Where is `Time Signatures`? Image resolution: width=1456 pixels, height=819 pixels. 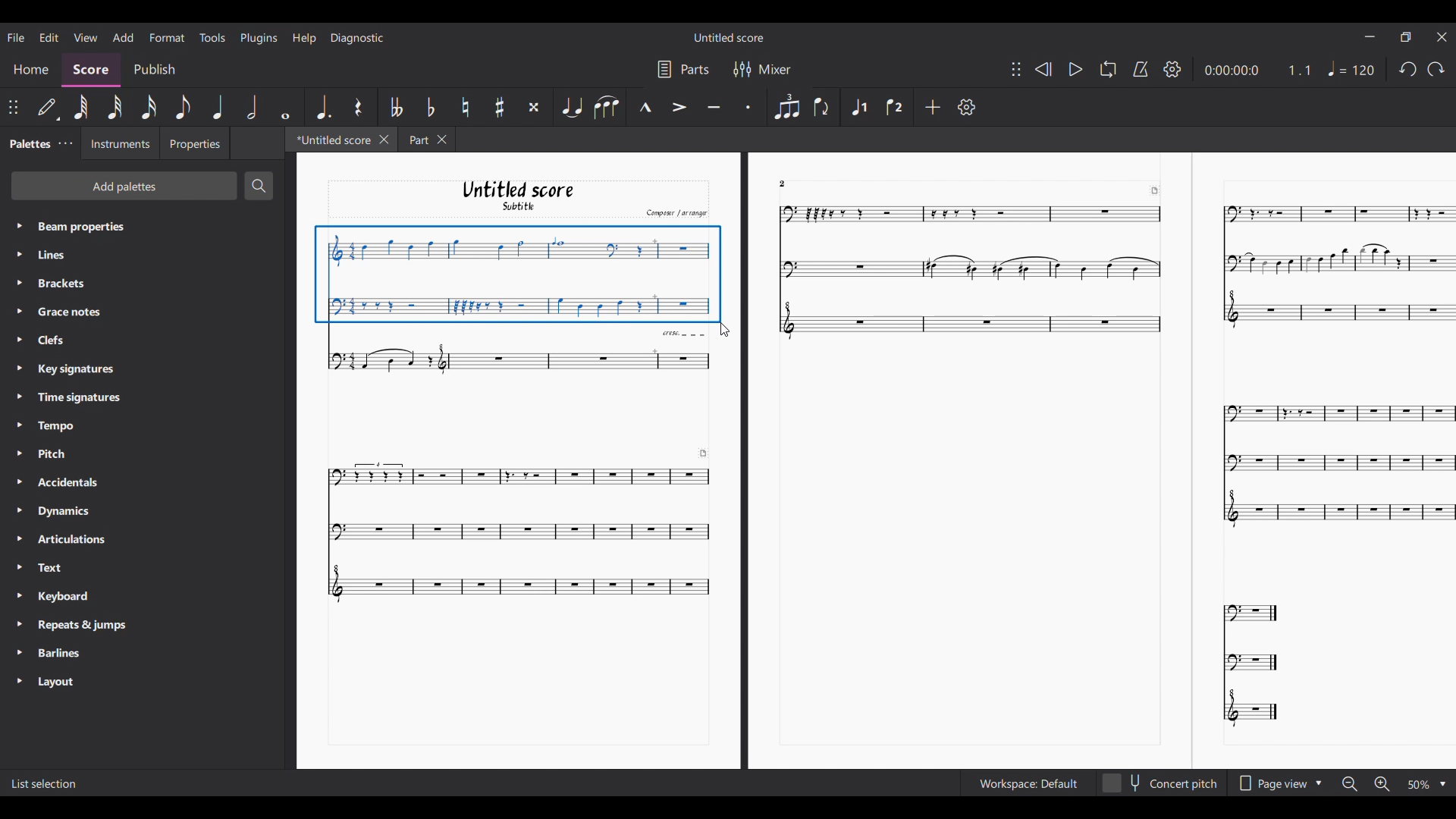 Time Signatures is located at coordinates (79, 397).